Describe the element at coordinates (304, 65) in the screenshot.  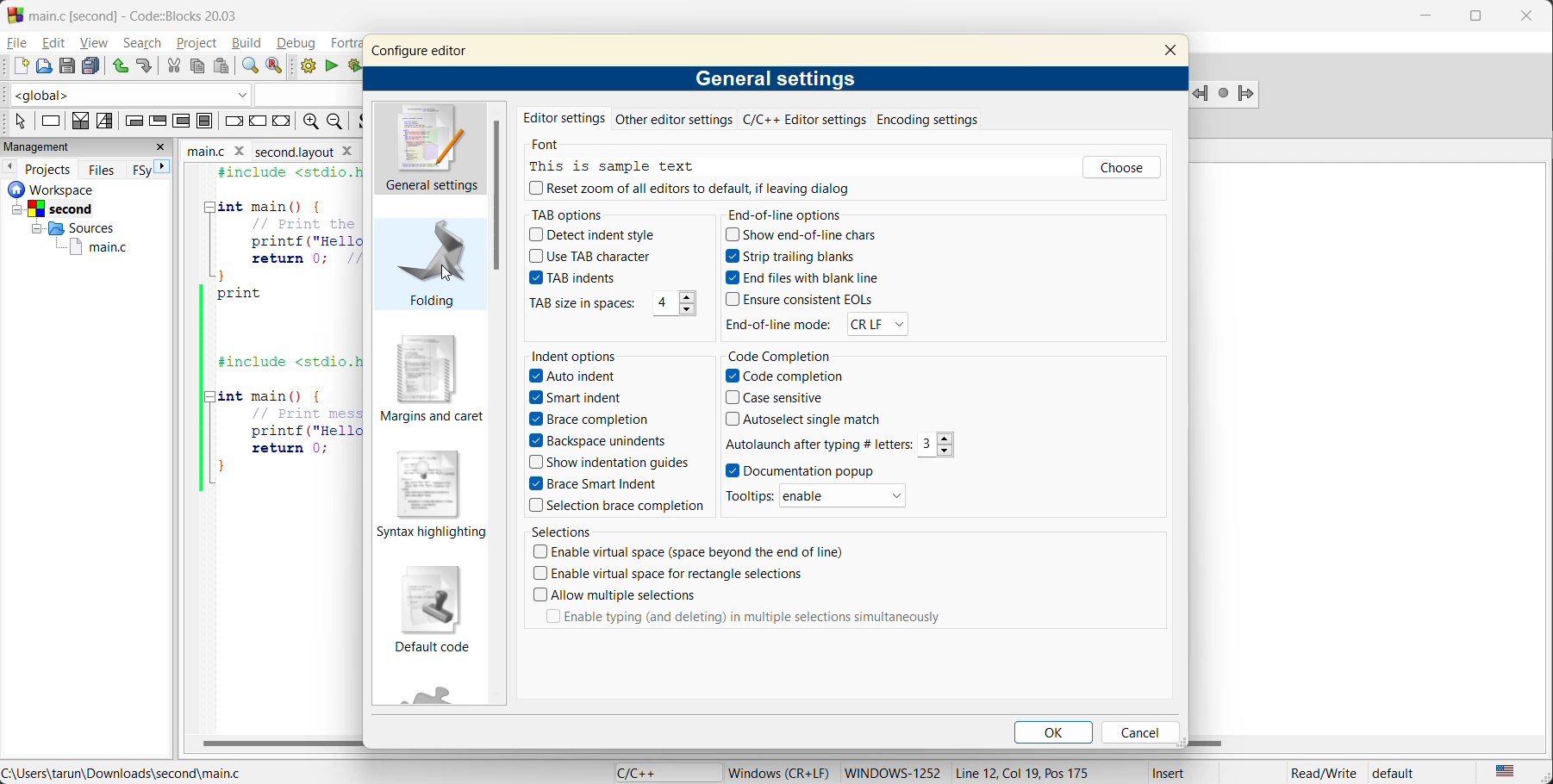
I see `build` at that location.